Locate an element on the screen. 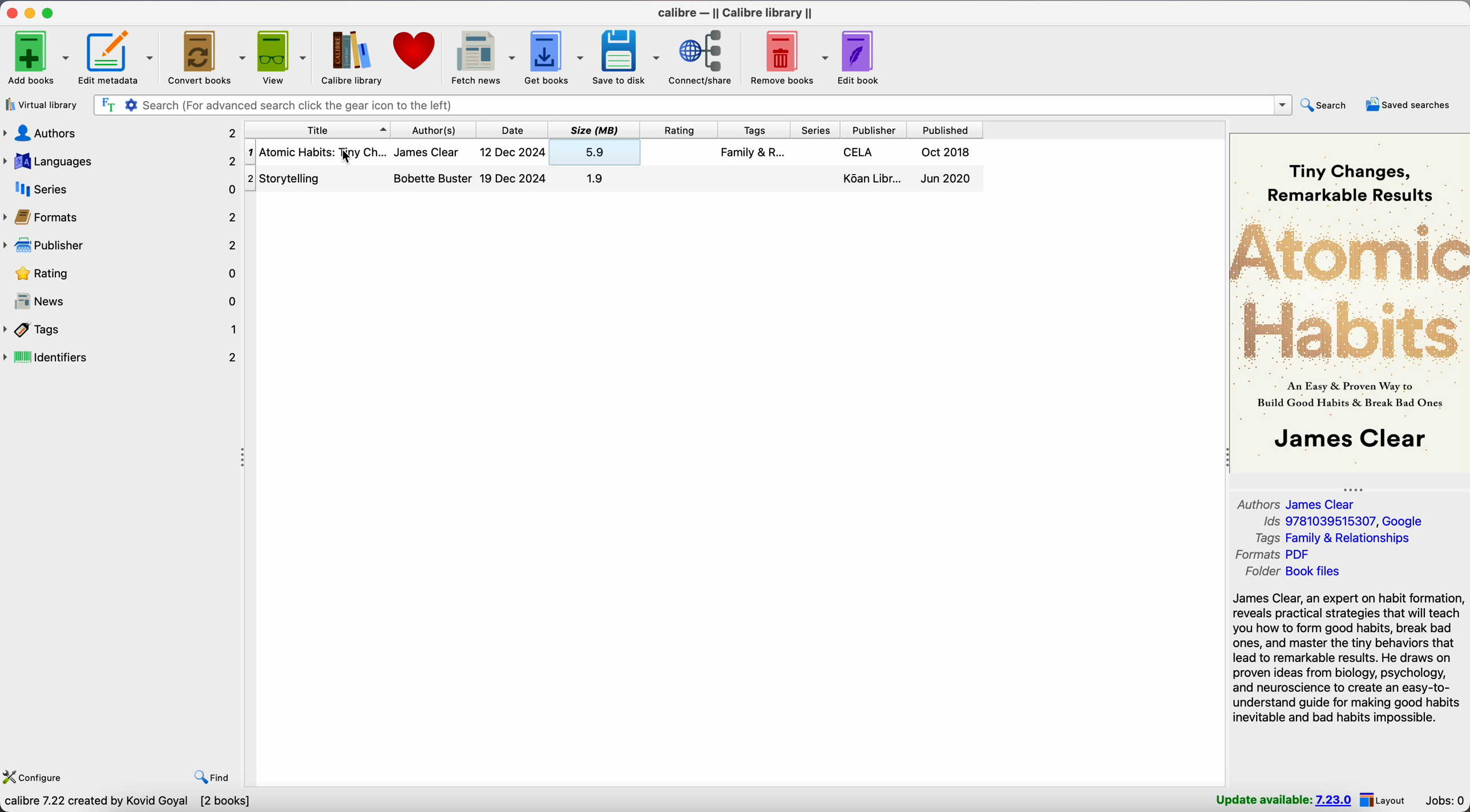 The width and height of the screenshot is (1470, 812). Add books is located at coordinates (37, 56).